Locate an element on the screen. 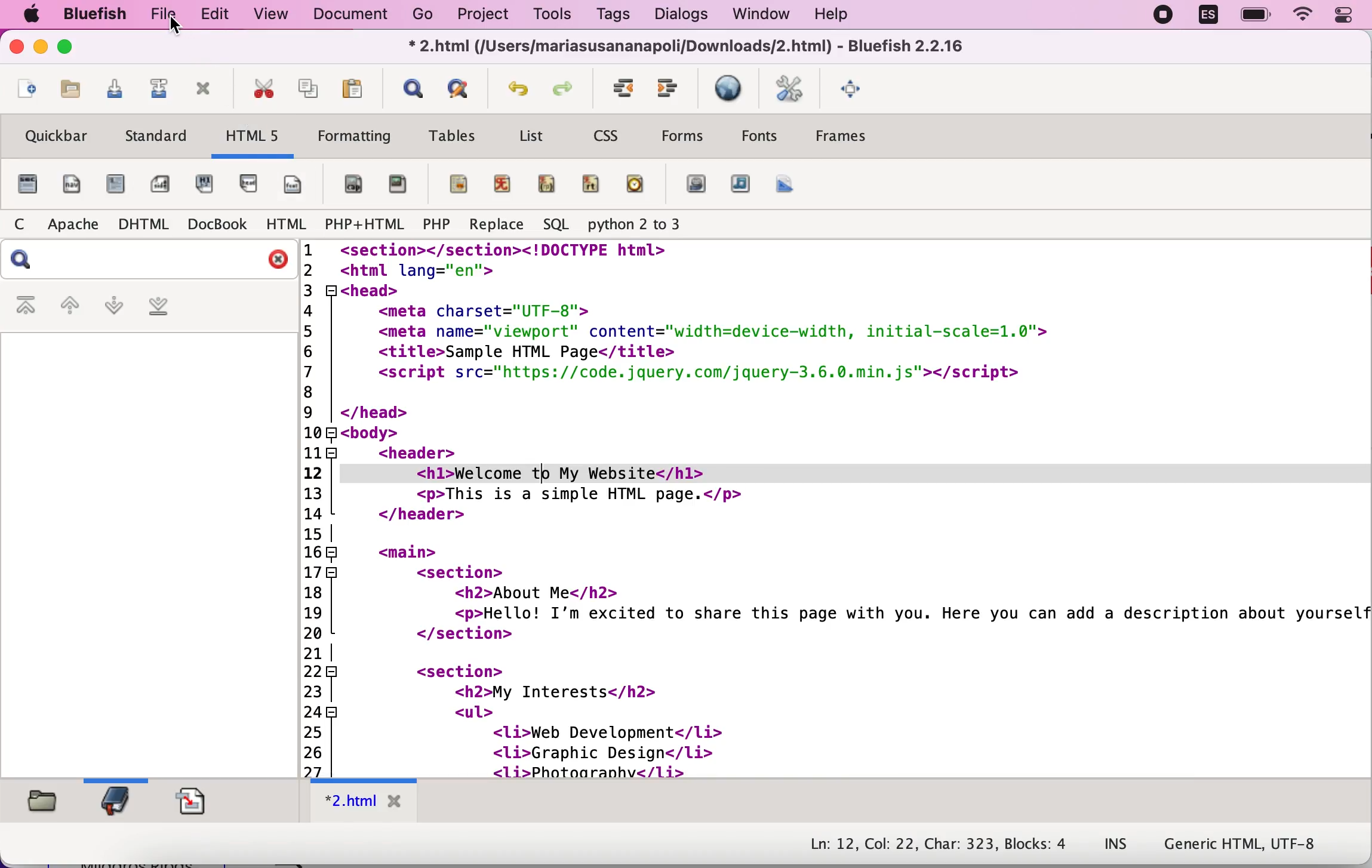  article is located at coordinates (115, 186).